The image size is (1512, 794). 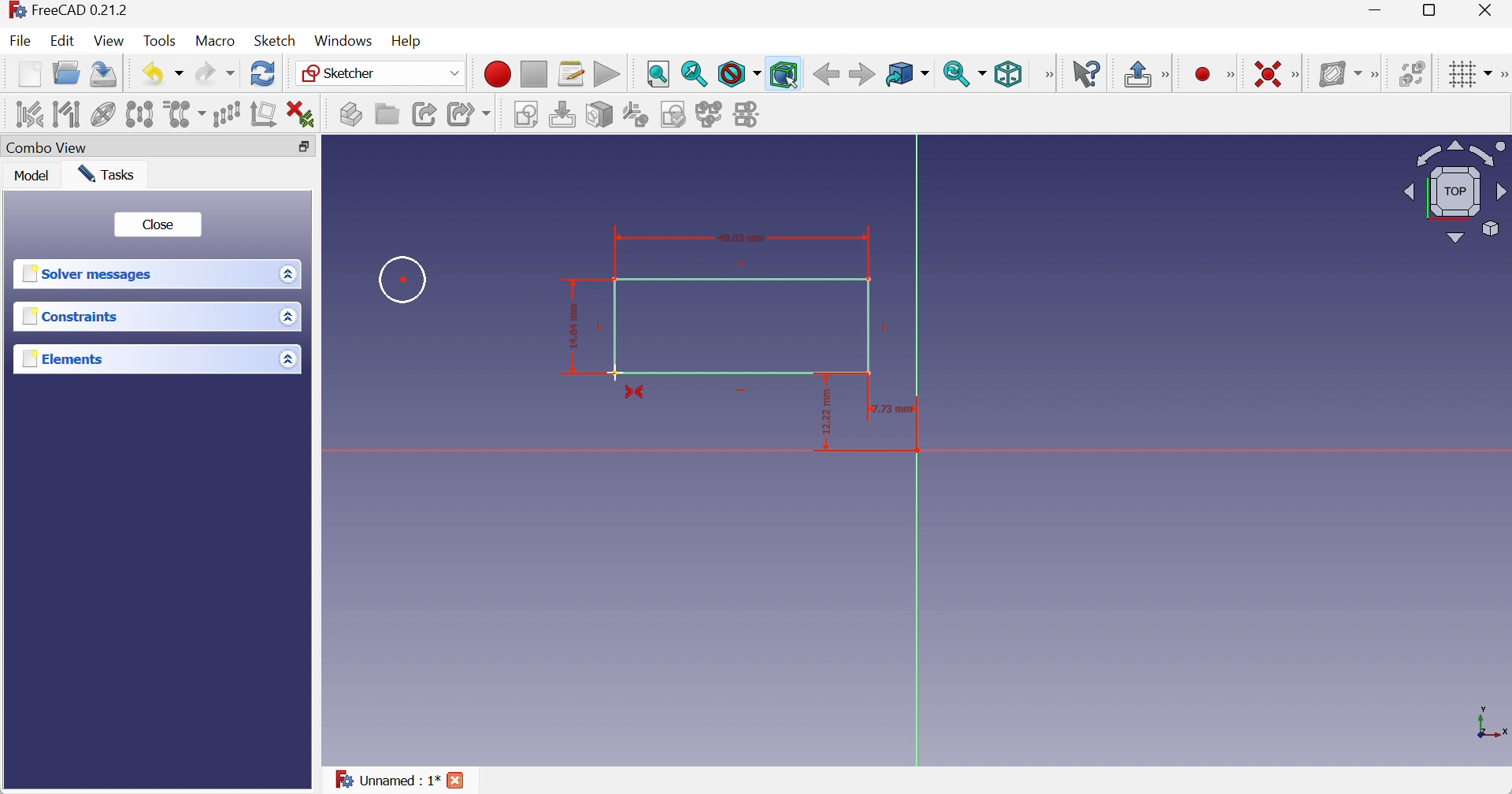 I want to click on Open..., so click(x=66, y=72).